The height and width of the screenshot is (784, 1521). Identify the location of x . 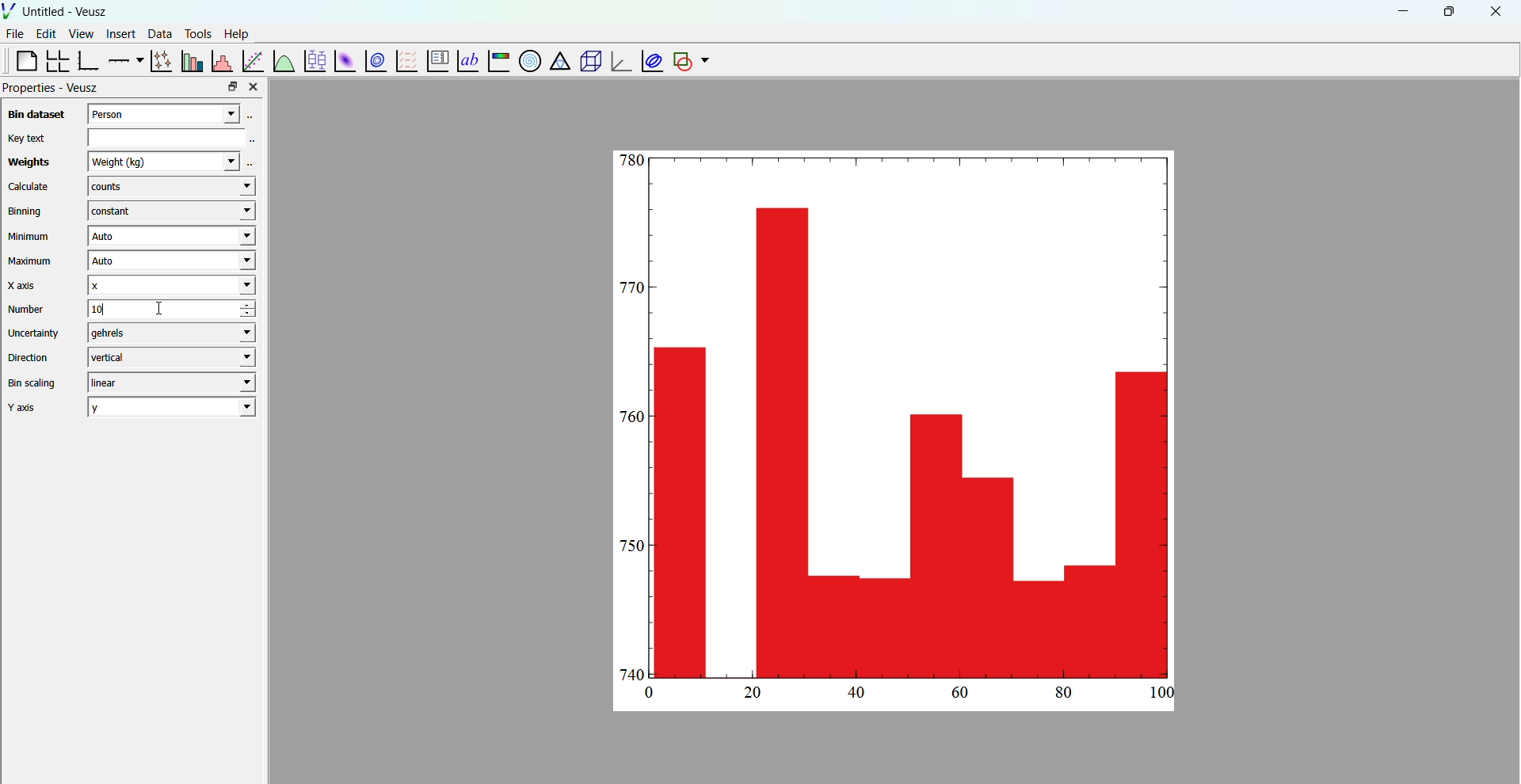
(170, 285).